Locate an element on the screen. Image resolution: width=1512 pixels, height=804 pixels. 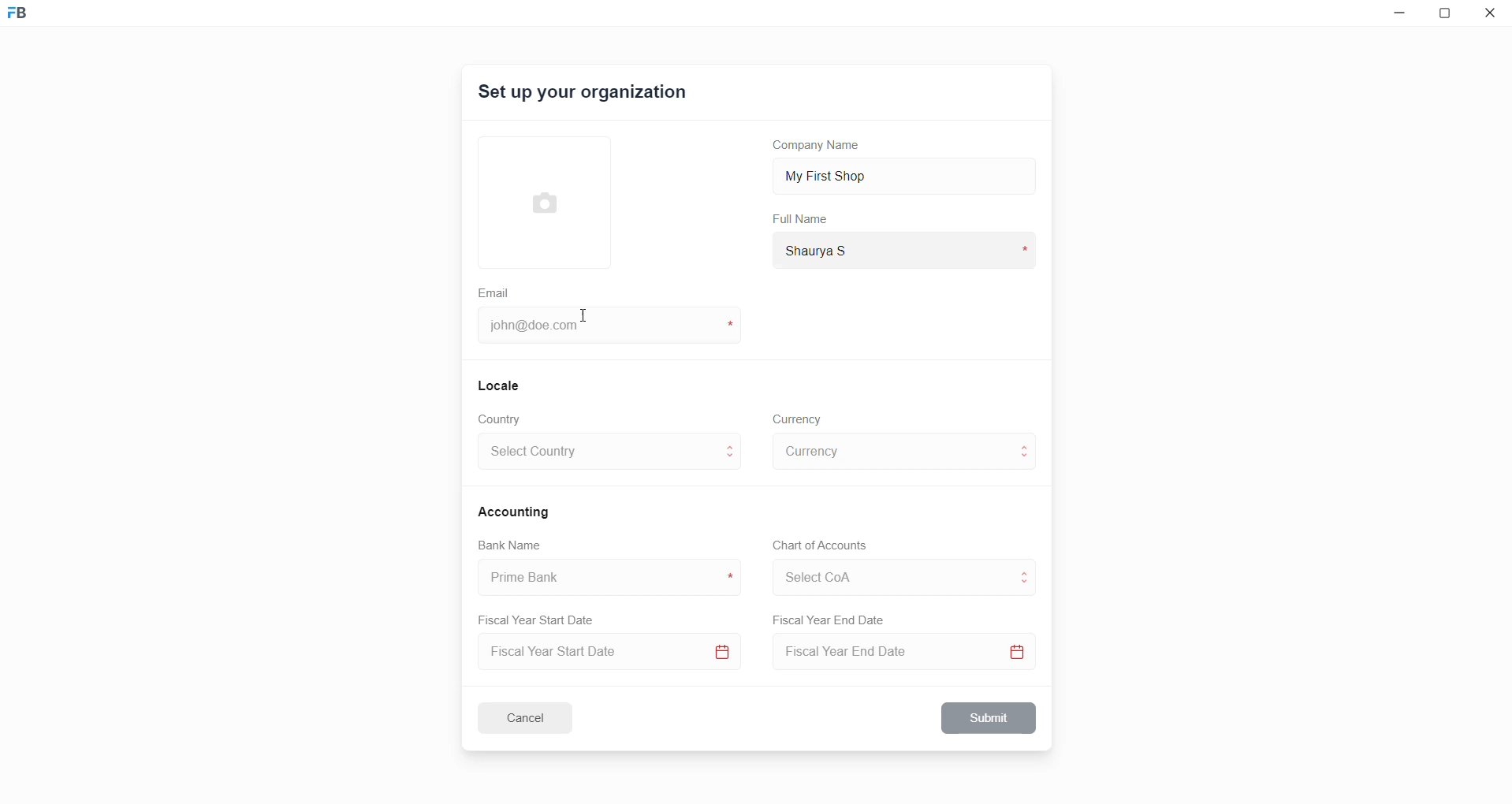
minimize is located at coordinates (1396, 17).